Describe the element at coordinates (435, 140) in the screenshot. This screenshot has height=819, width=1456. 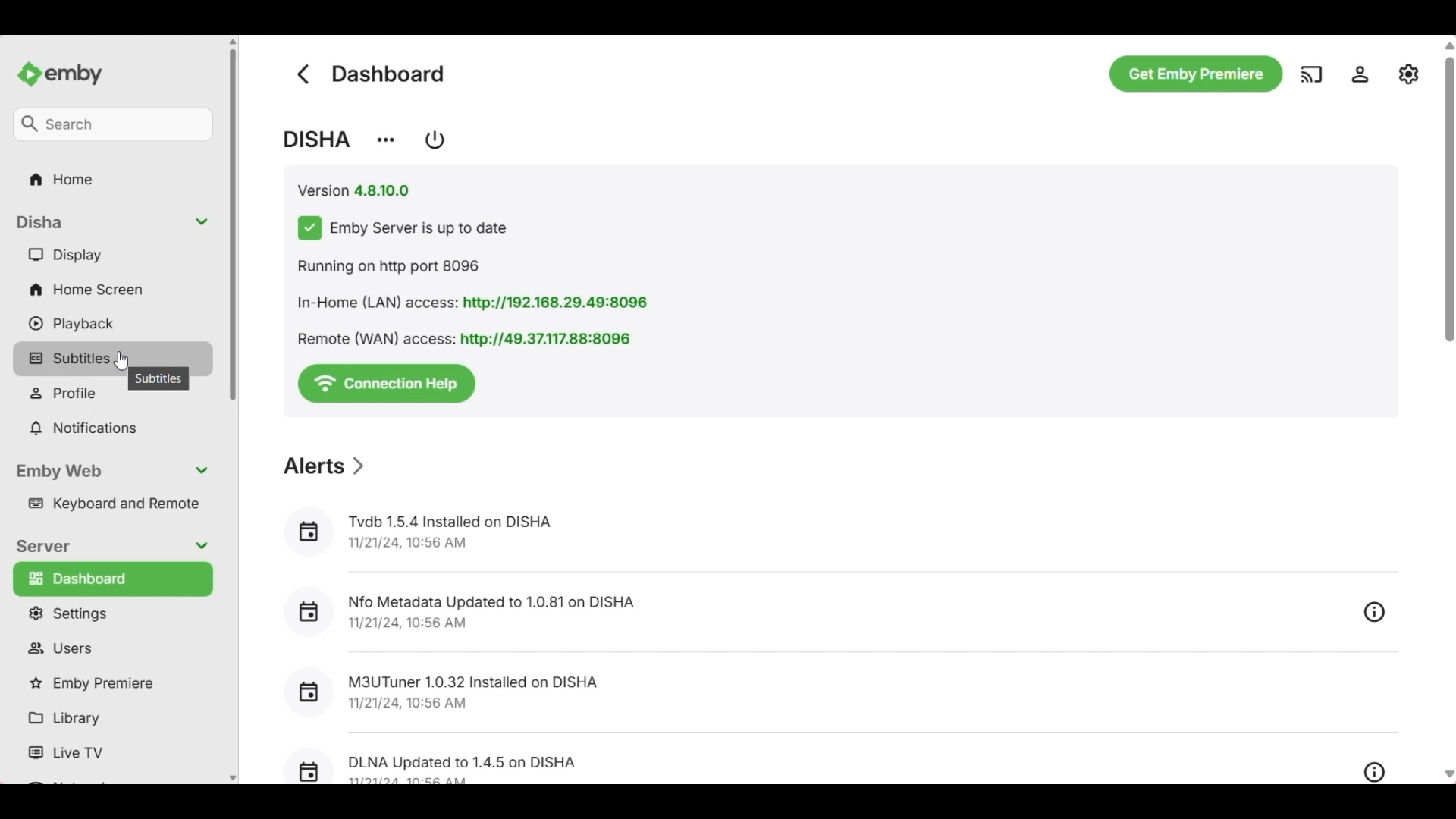
I see `Restart/Shutdown Emby` at that location.